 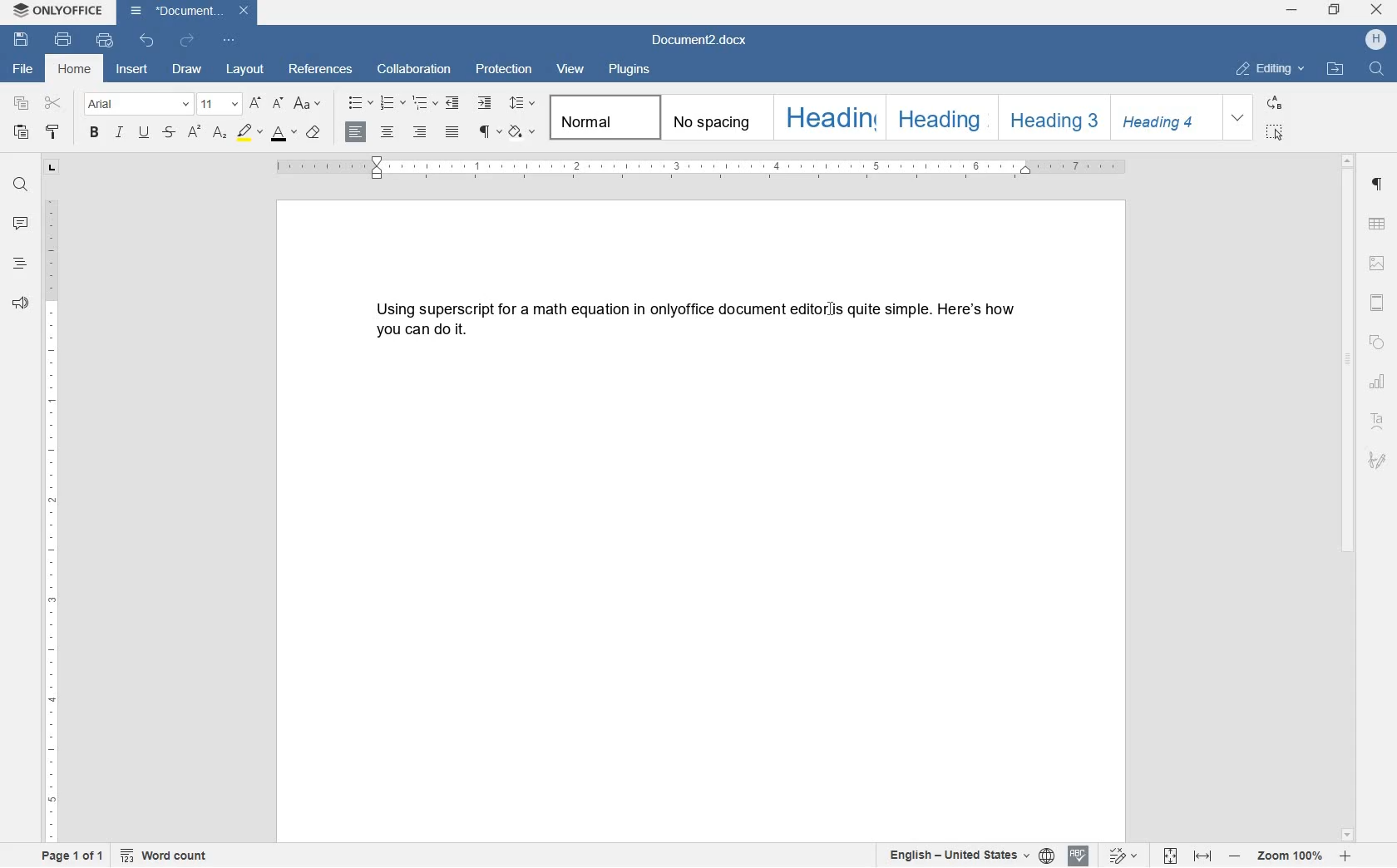 What do you see at coordinates (314, 133) in the screenshot?
I see `clear style` at bounding box center [314, 133].